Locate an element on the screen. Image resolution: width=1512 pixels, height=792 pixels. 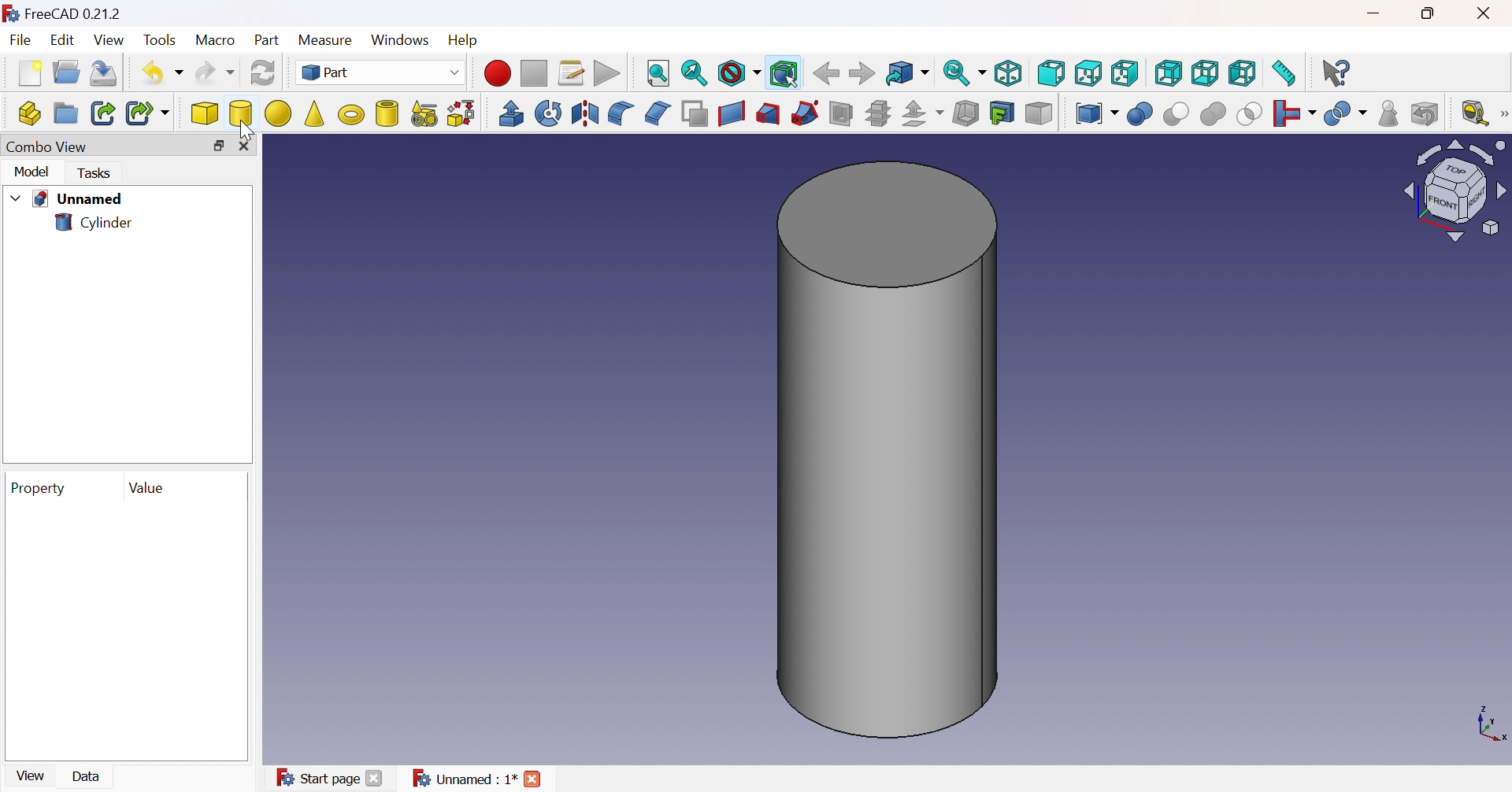
Fit all is located at coordinates (660, 72).